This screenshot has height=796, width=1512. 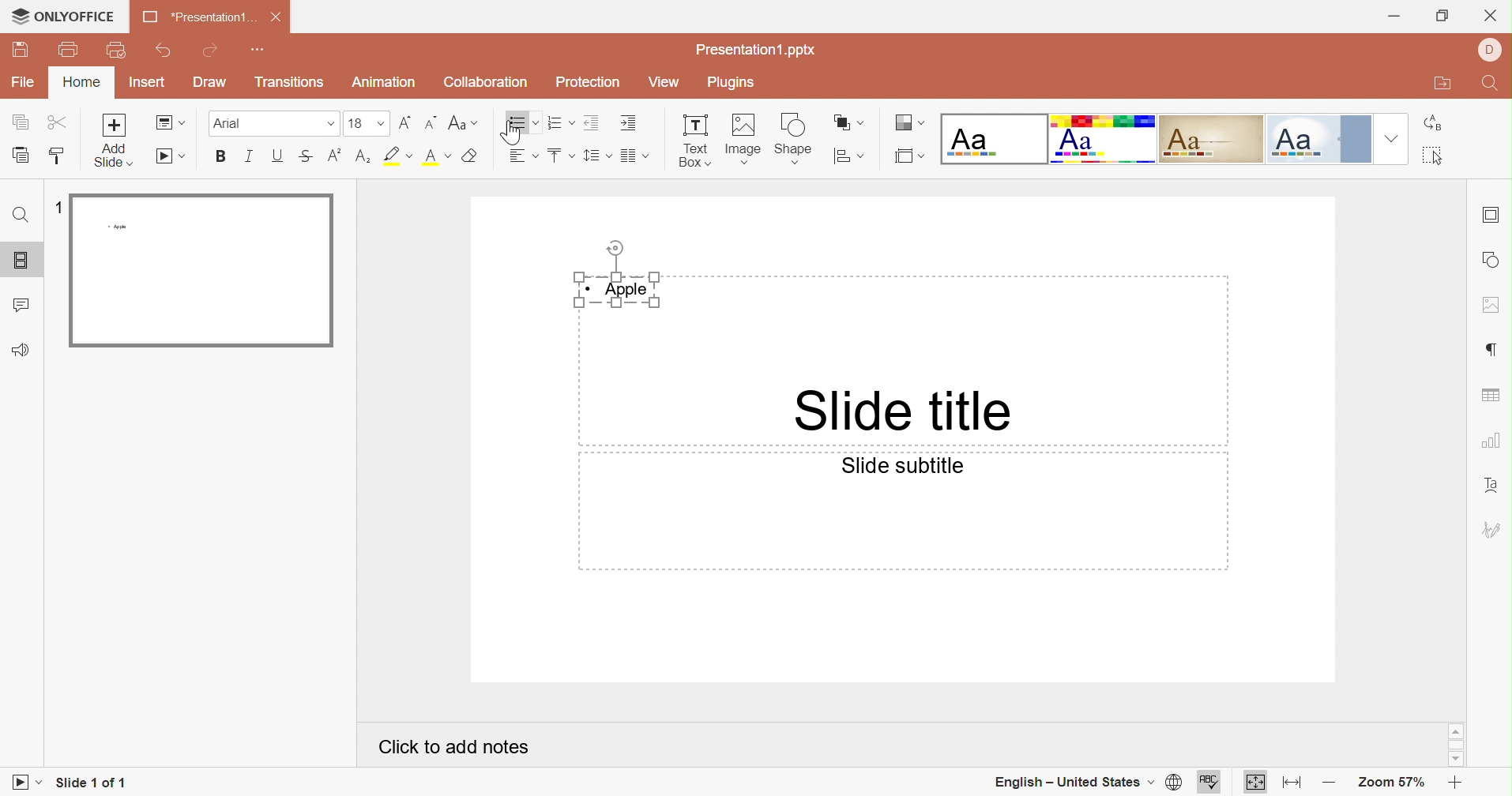 What do you see at coordinates (291, 84) in the screenshot?
I see `Transitions` at bounding box center [291, 84].